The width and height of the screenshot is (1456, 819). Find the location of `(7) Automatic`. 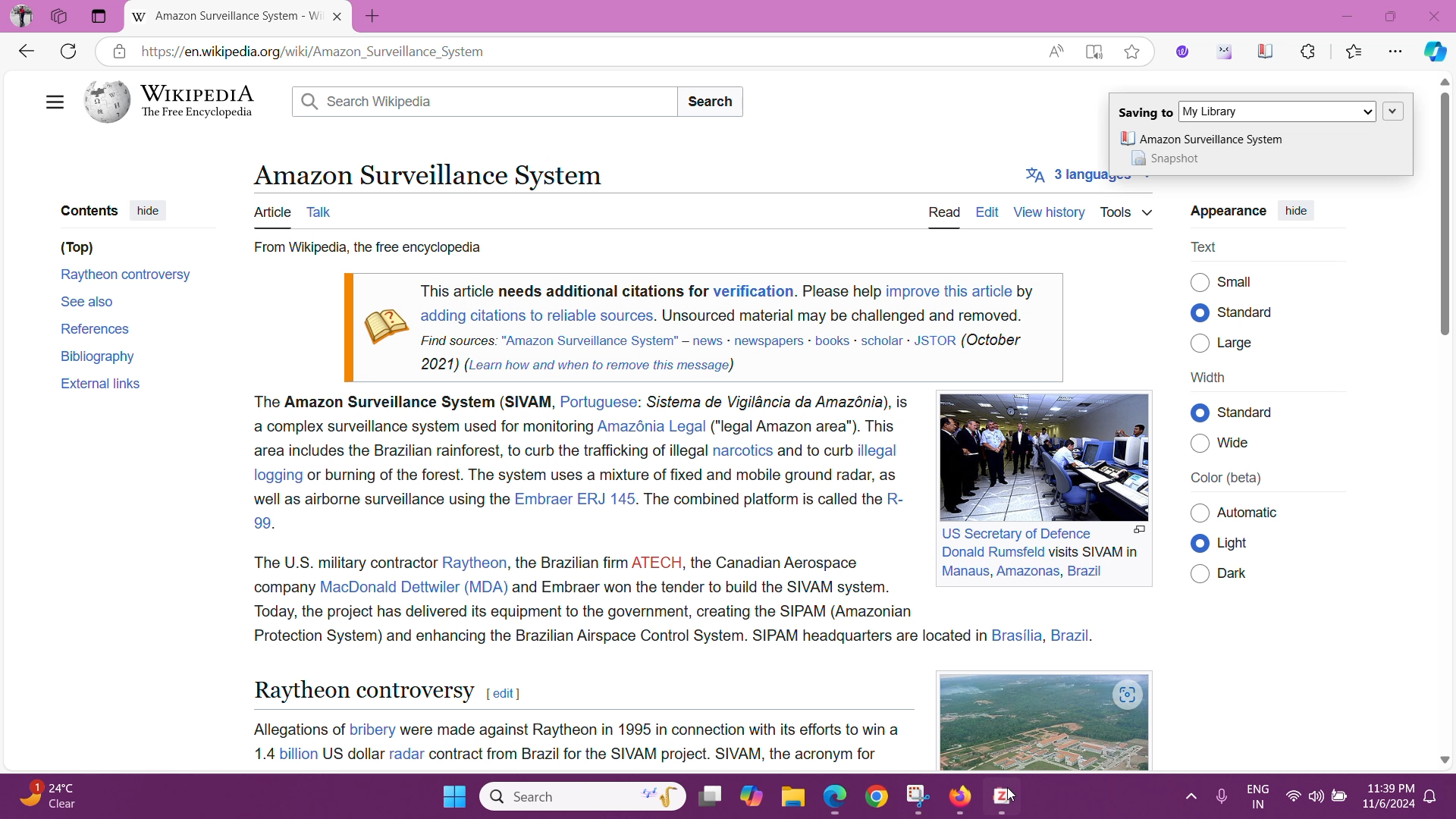

(7) Automatic is located at coordinates (1254, 513).